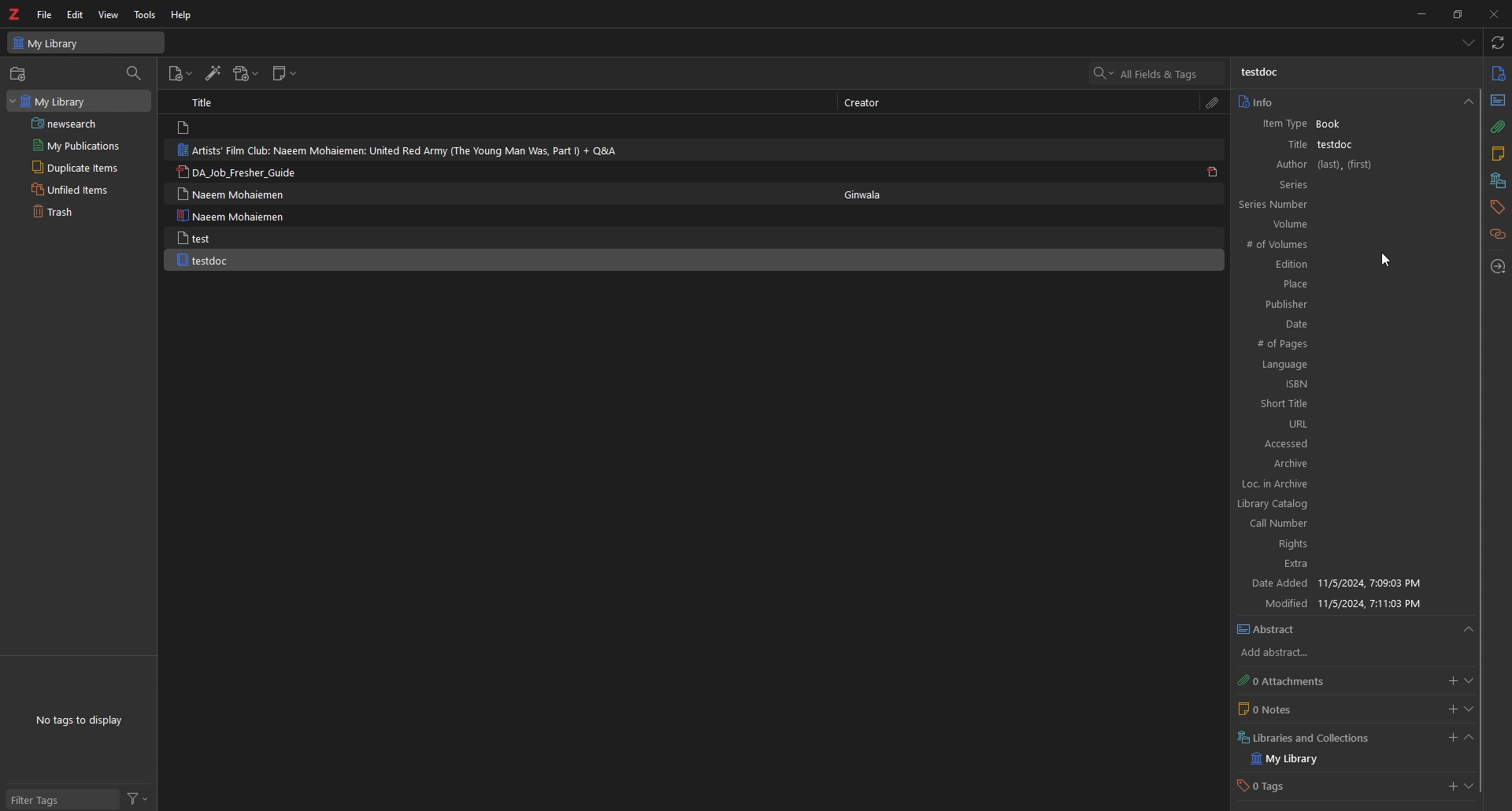 This screenshot has height=811, width=1512. I want to click on testdoc, so click(1377, 146).